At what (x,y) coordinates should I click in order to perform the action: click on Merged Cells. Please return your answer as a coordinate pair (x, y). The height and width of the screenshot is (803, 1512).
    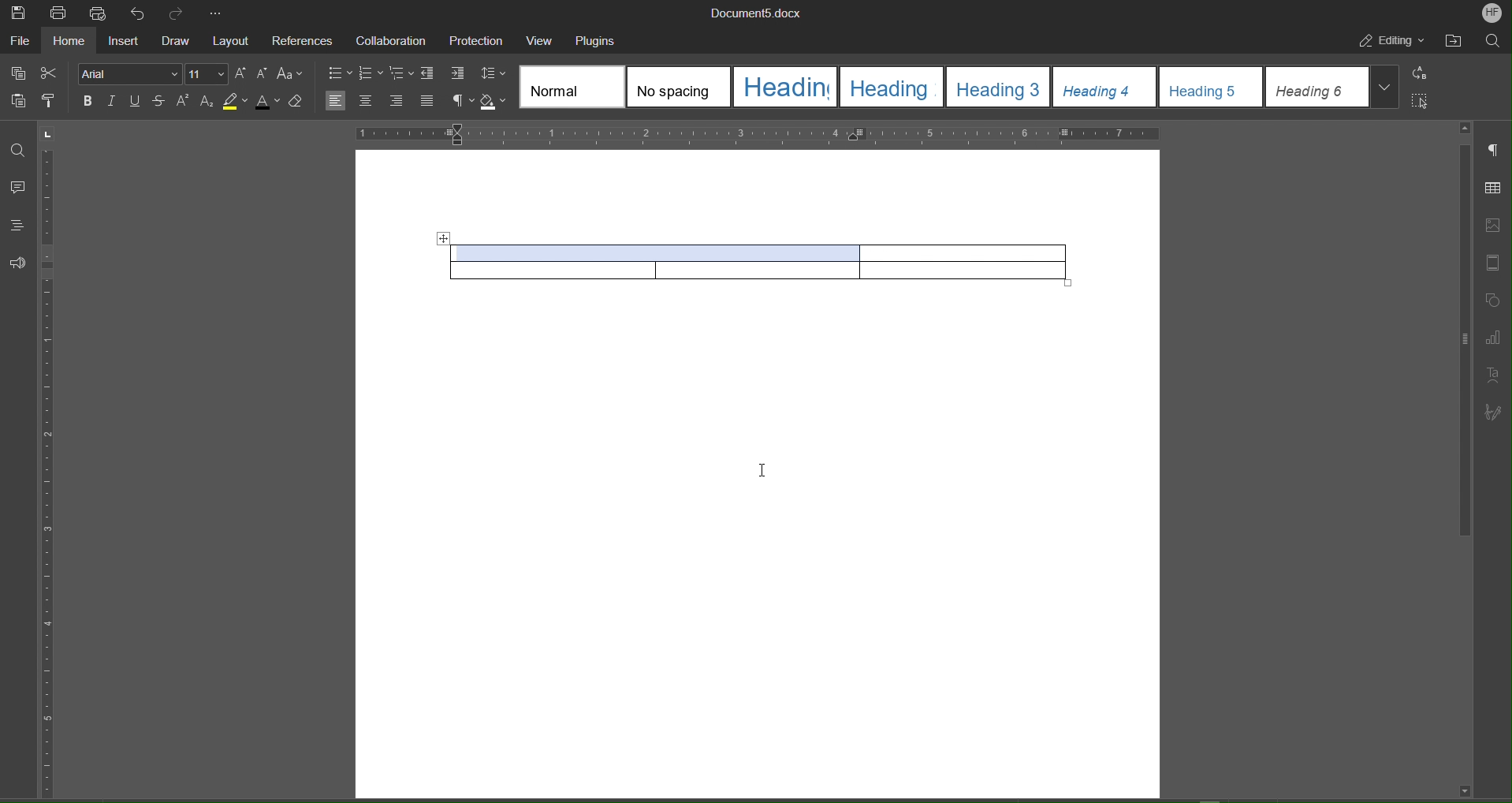
    Looking at the image, I should click on (658, 254).